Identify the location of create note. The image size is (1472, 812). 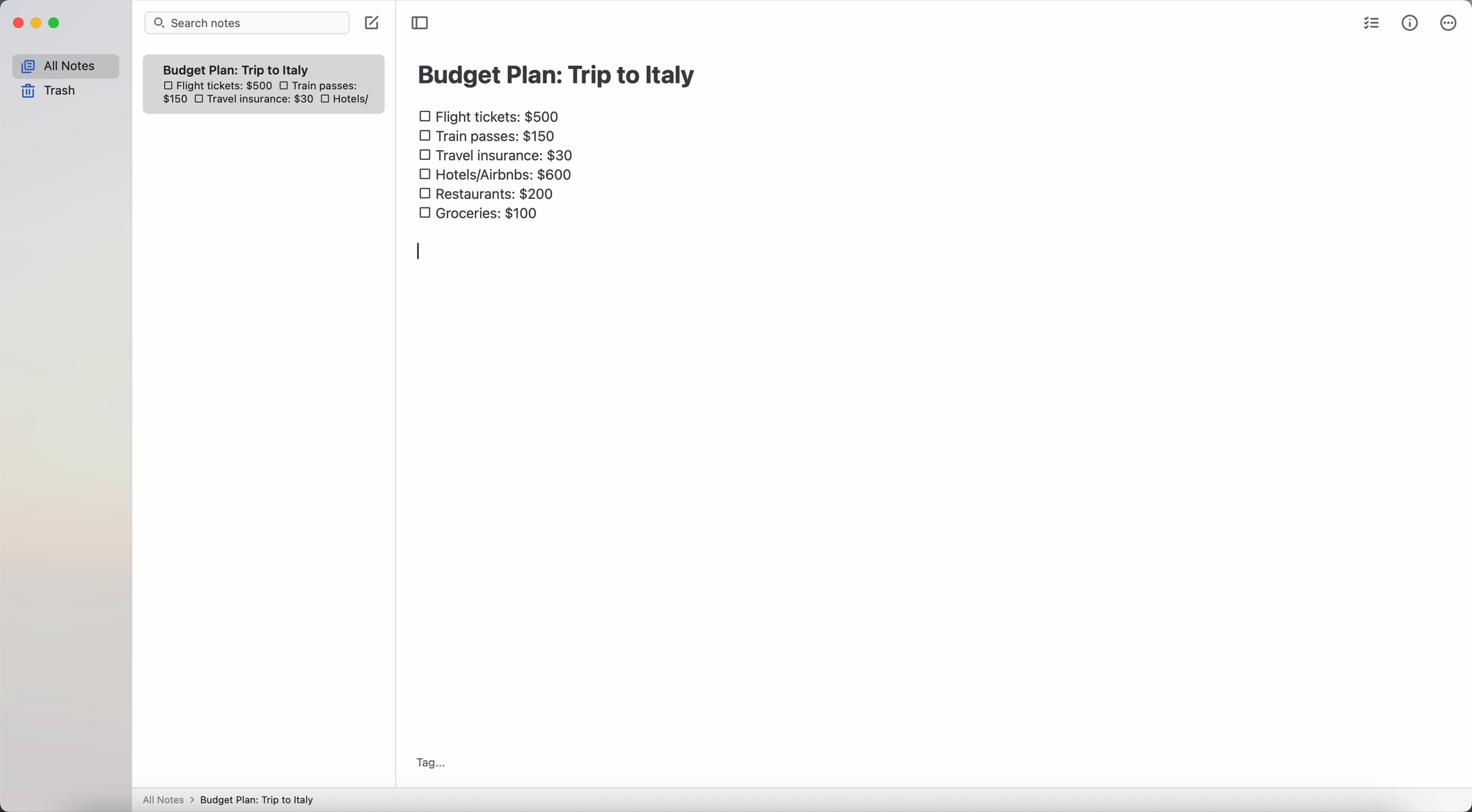
(371, 24).